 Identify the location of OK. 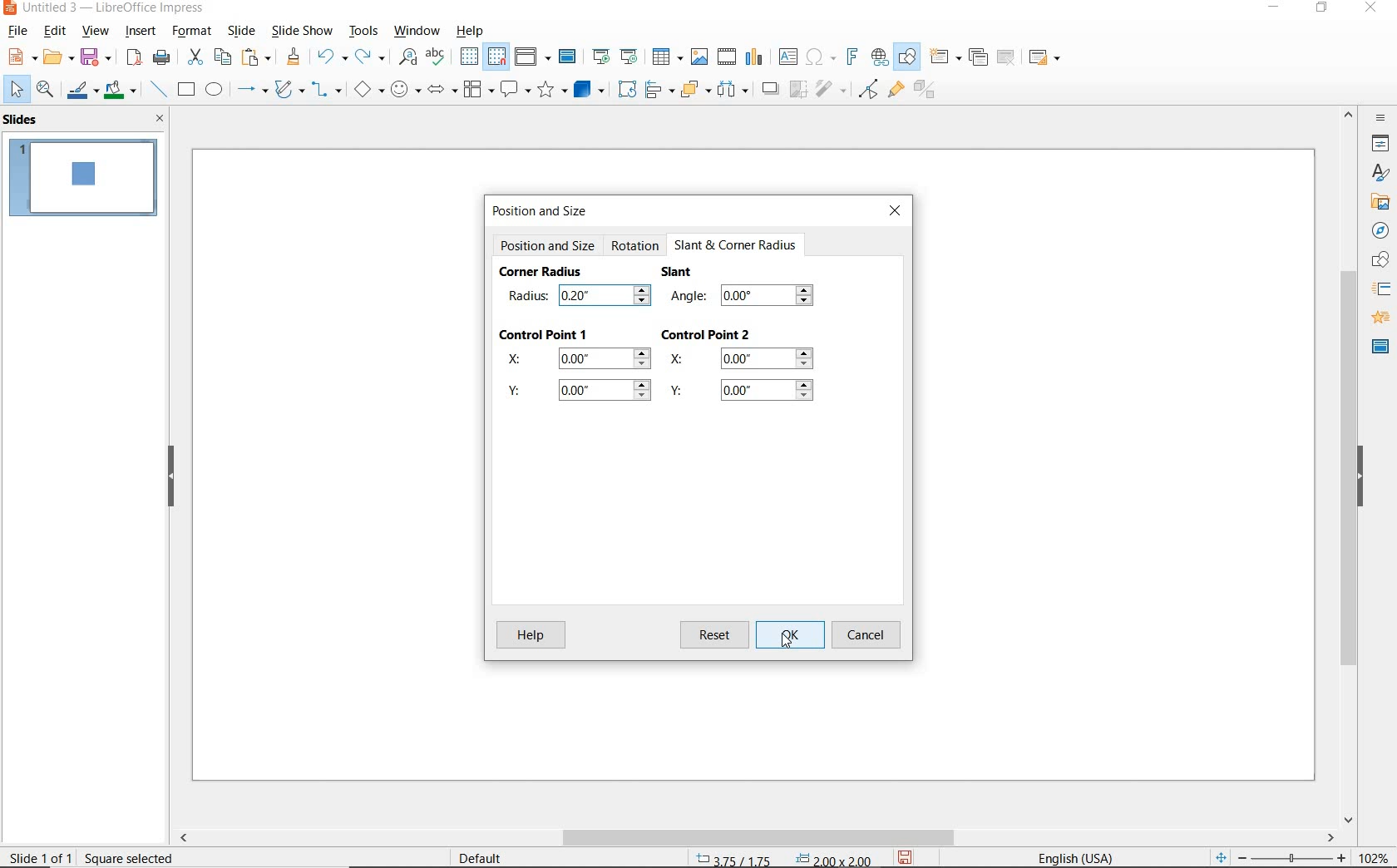
(790, 634).